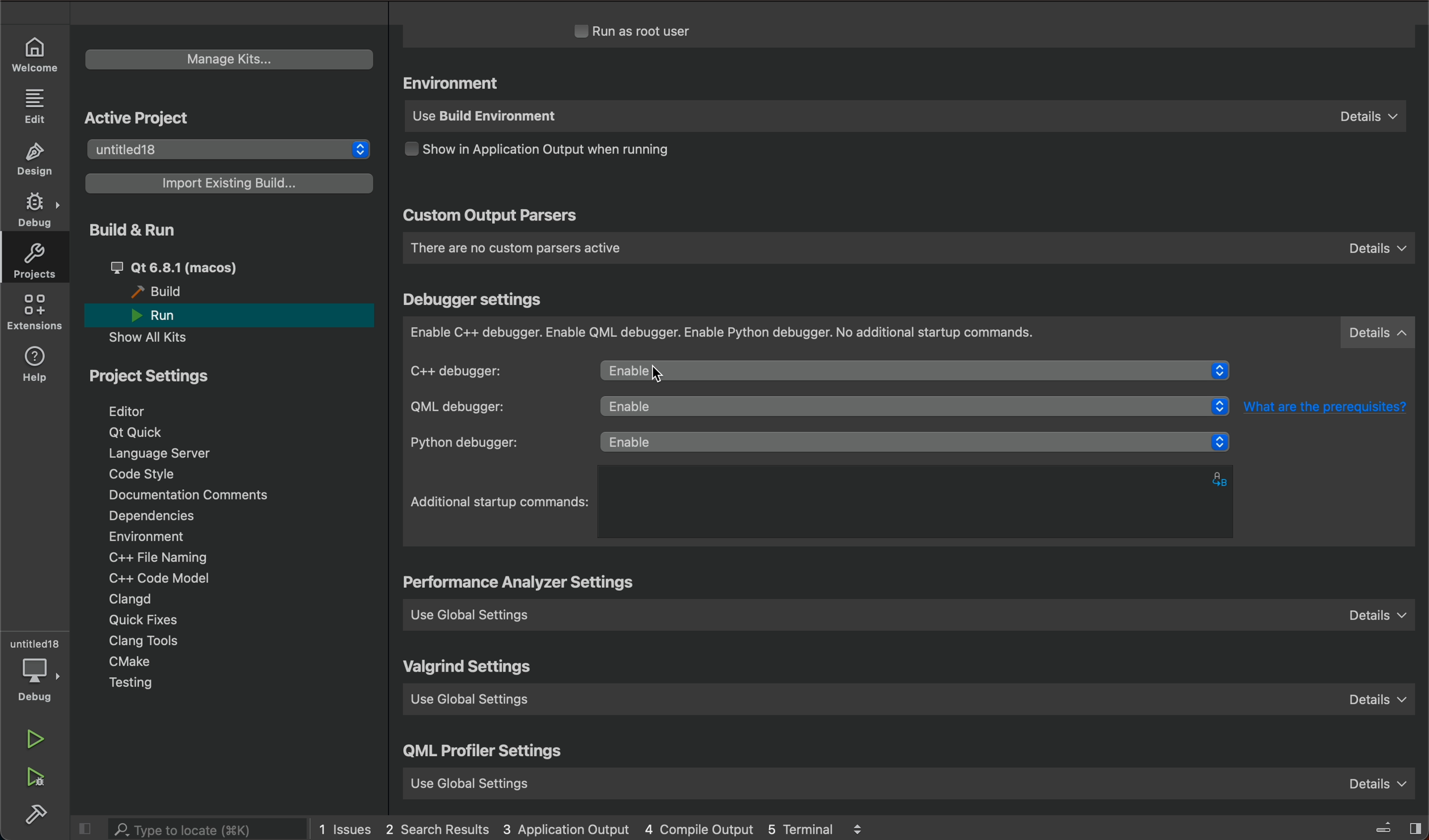  I want to click on python debugger, so click(824, 443).